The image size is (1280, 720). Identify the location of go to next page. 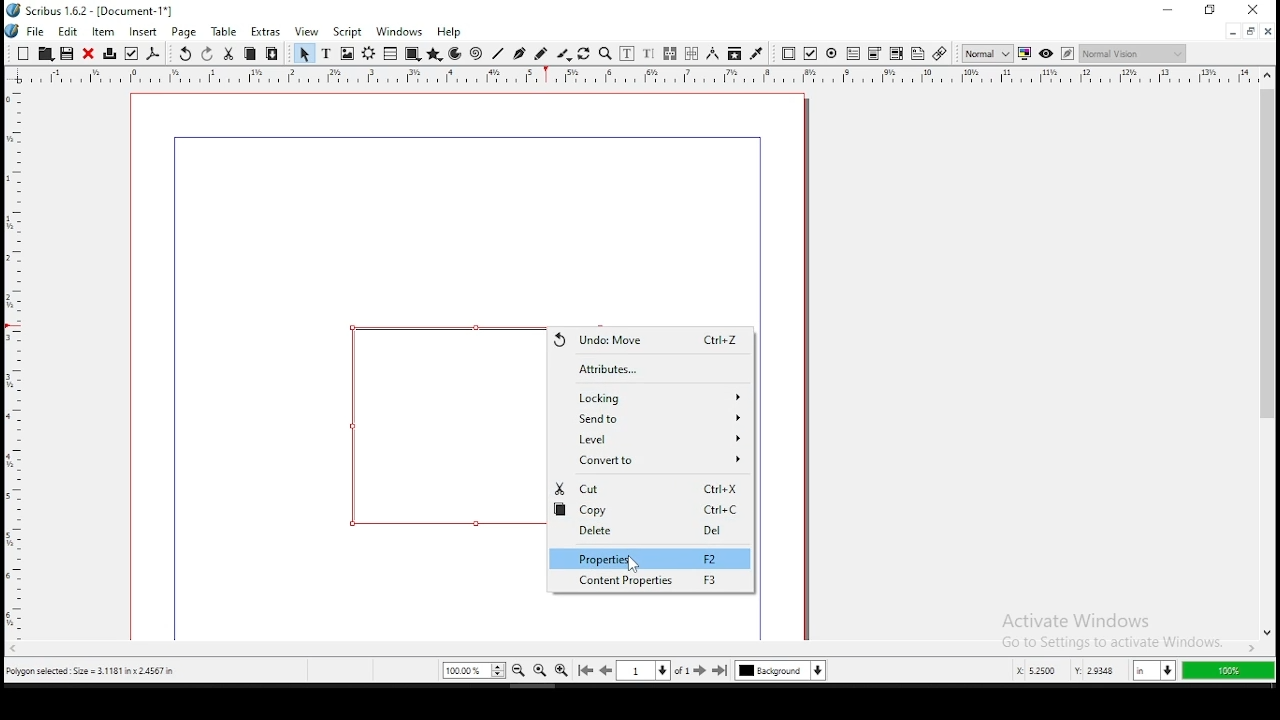
(701, 671).